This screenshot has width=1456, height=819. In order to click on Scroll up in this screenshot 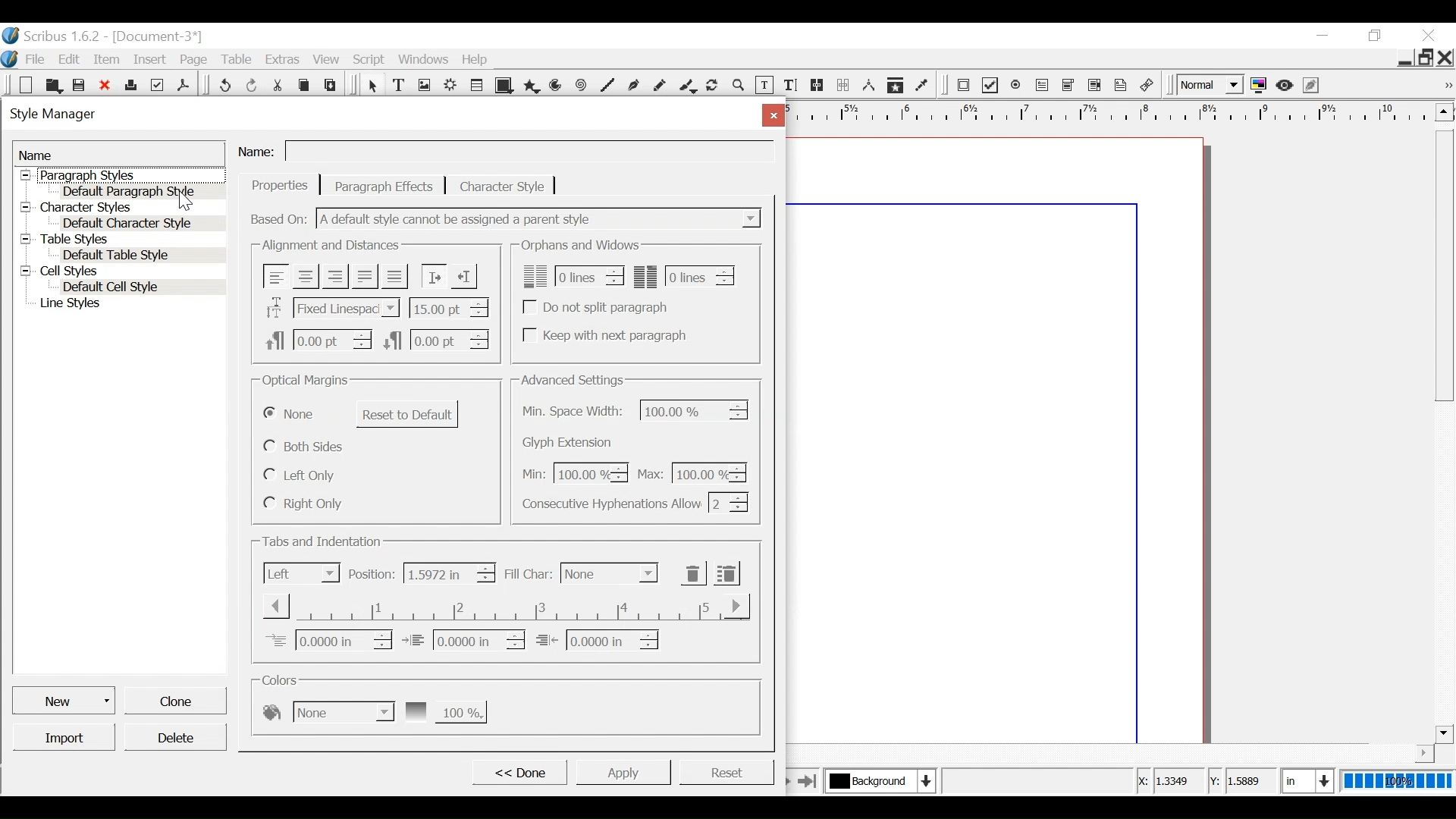, I will do `click(1442, 111)`.